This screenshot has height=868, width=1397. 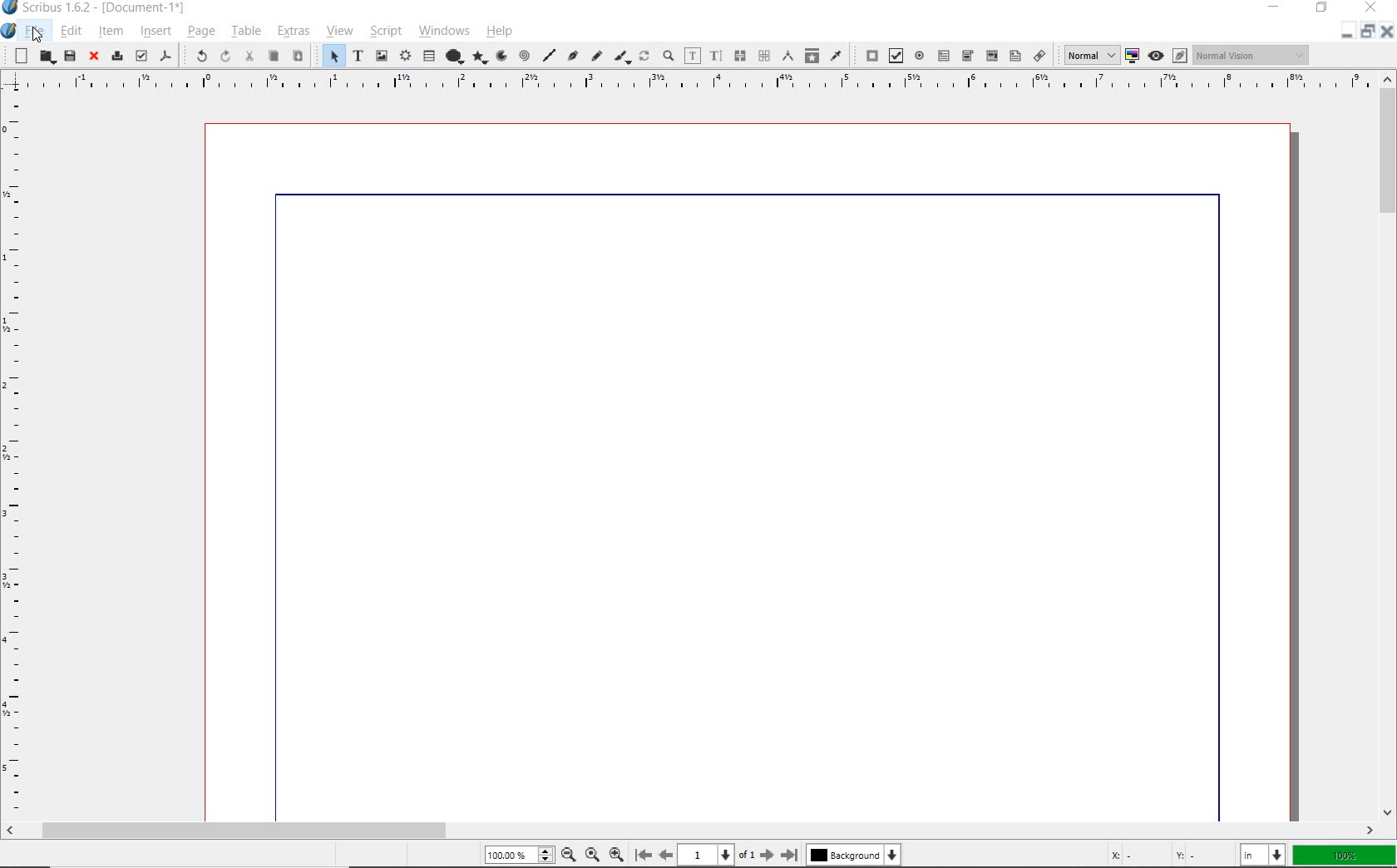 What do you see at coordinates (1133, 55) in the screenshot?
I see `toggle color` at bounding box center [1133, 55].